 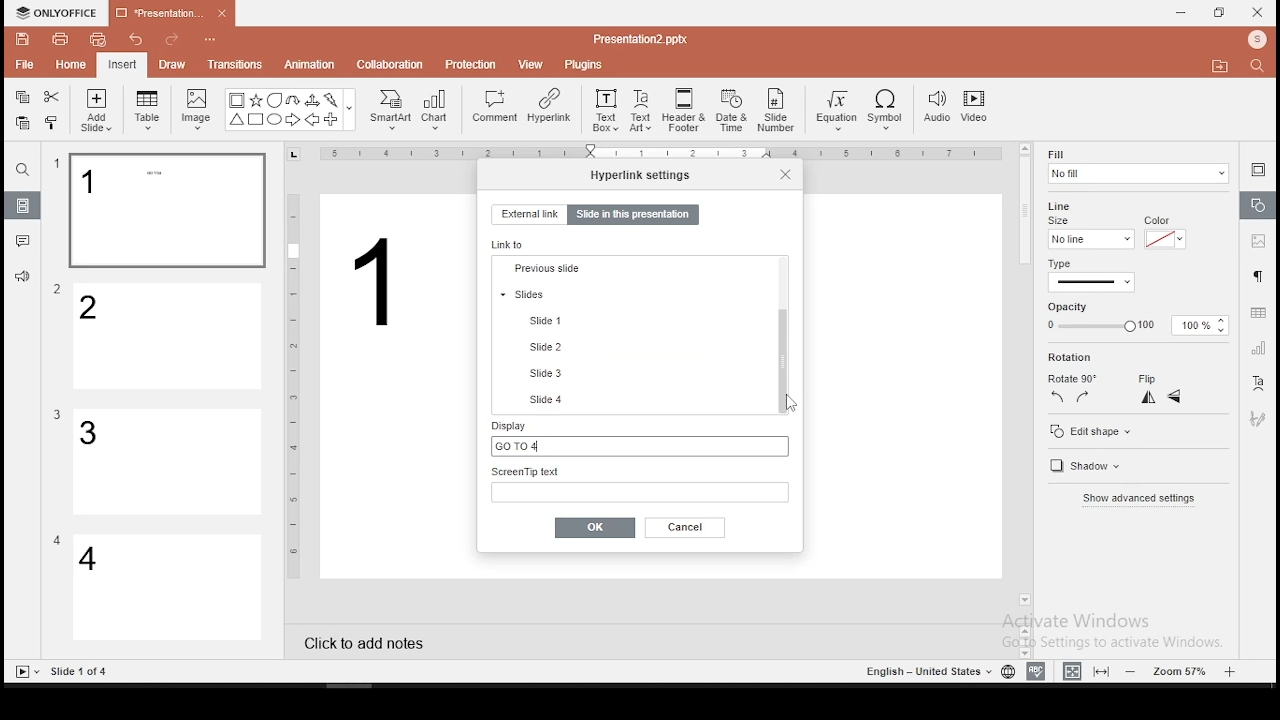 What do you see at coordinates (294, 121) in the screenshot?
I see `Arrow Right` at bounding box center [294, 121].